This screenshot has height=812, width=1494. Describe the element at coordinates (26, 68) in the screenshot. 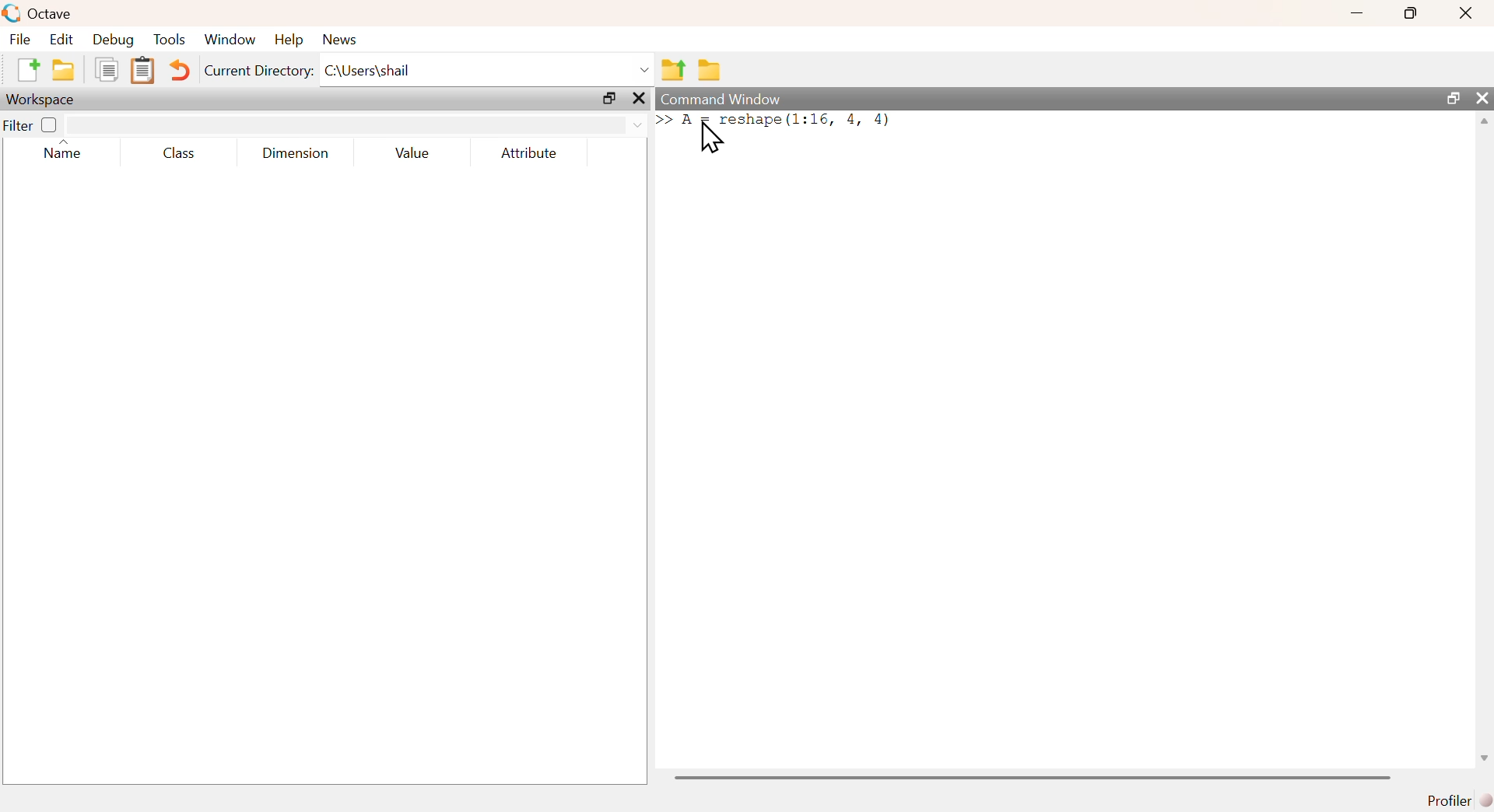

I see `new script` at that location.